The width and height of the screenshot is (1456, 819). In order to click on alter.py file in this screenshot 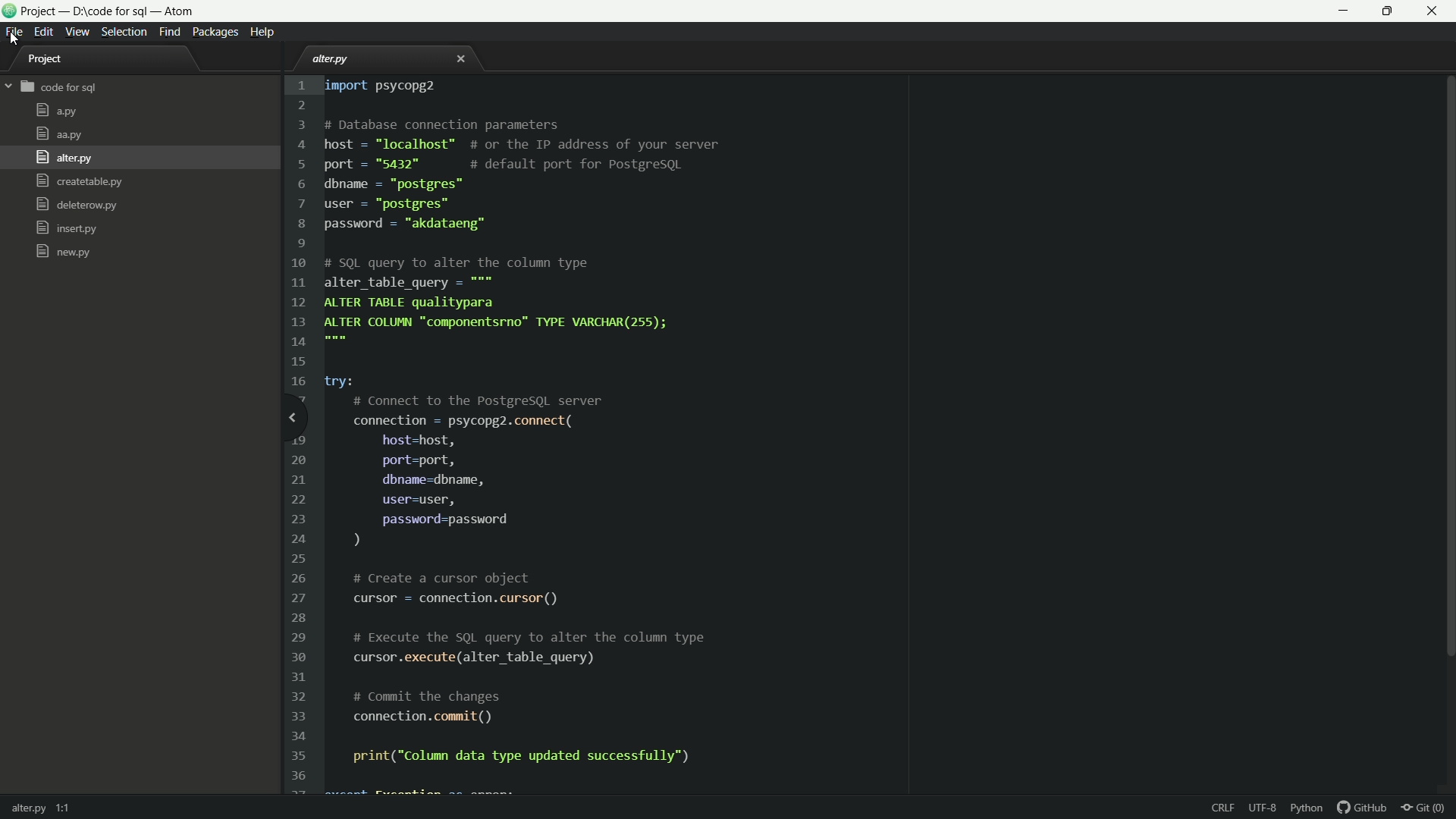, I will do `click(62, 158)`.